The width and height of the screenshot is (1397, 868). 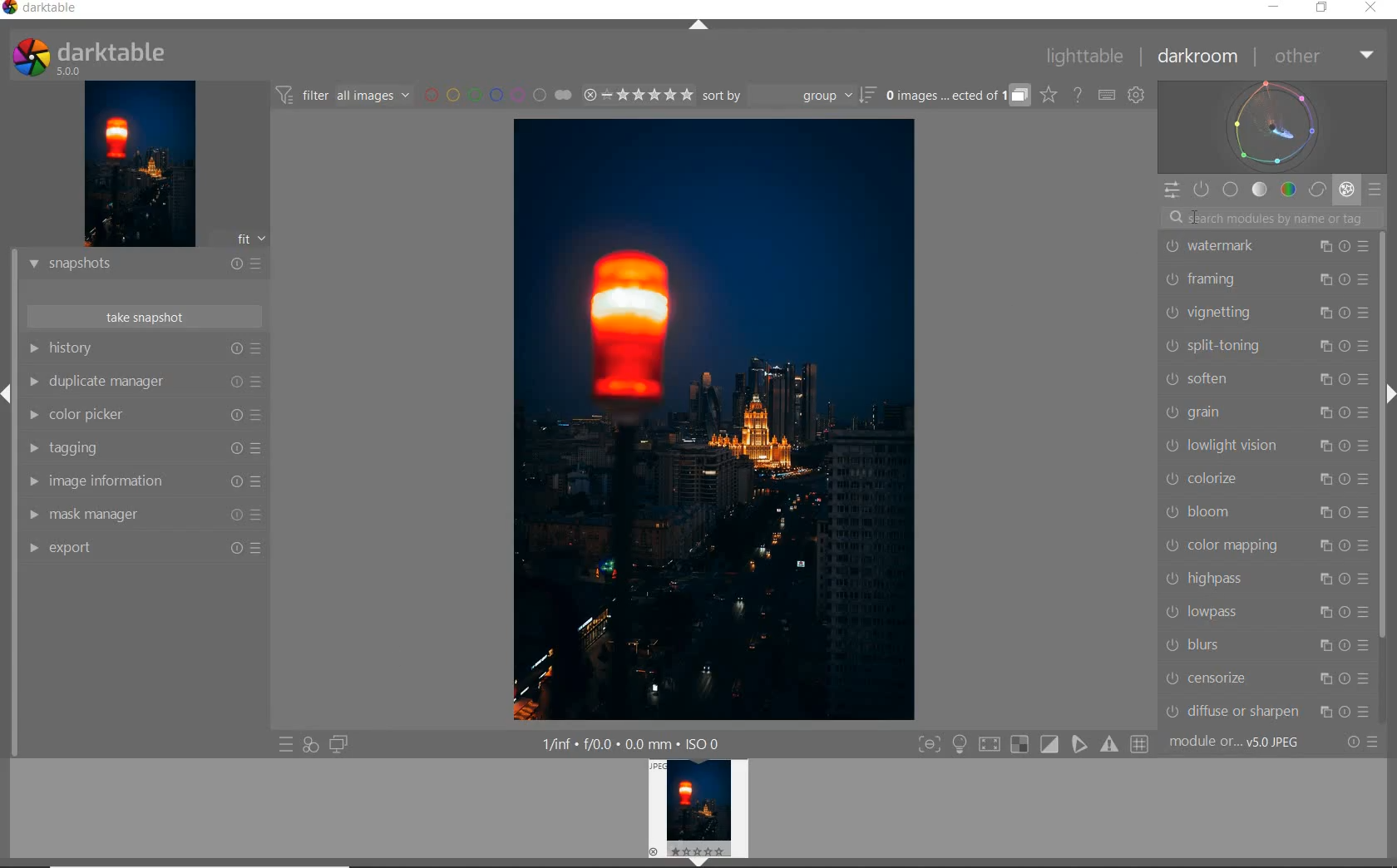 I want to click on Reset, so click(x=1345, y=647).